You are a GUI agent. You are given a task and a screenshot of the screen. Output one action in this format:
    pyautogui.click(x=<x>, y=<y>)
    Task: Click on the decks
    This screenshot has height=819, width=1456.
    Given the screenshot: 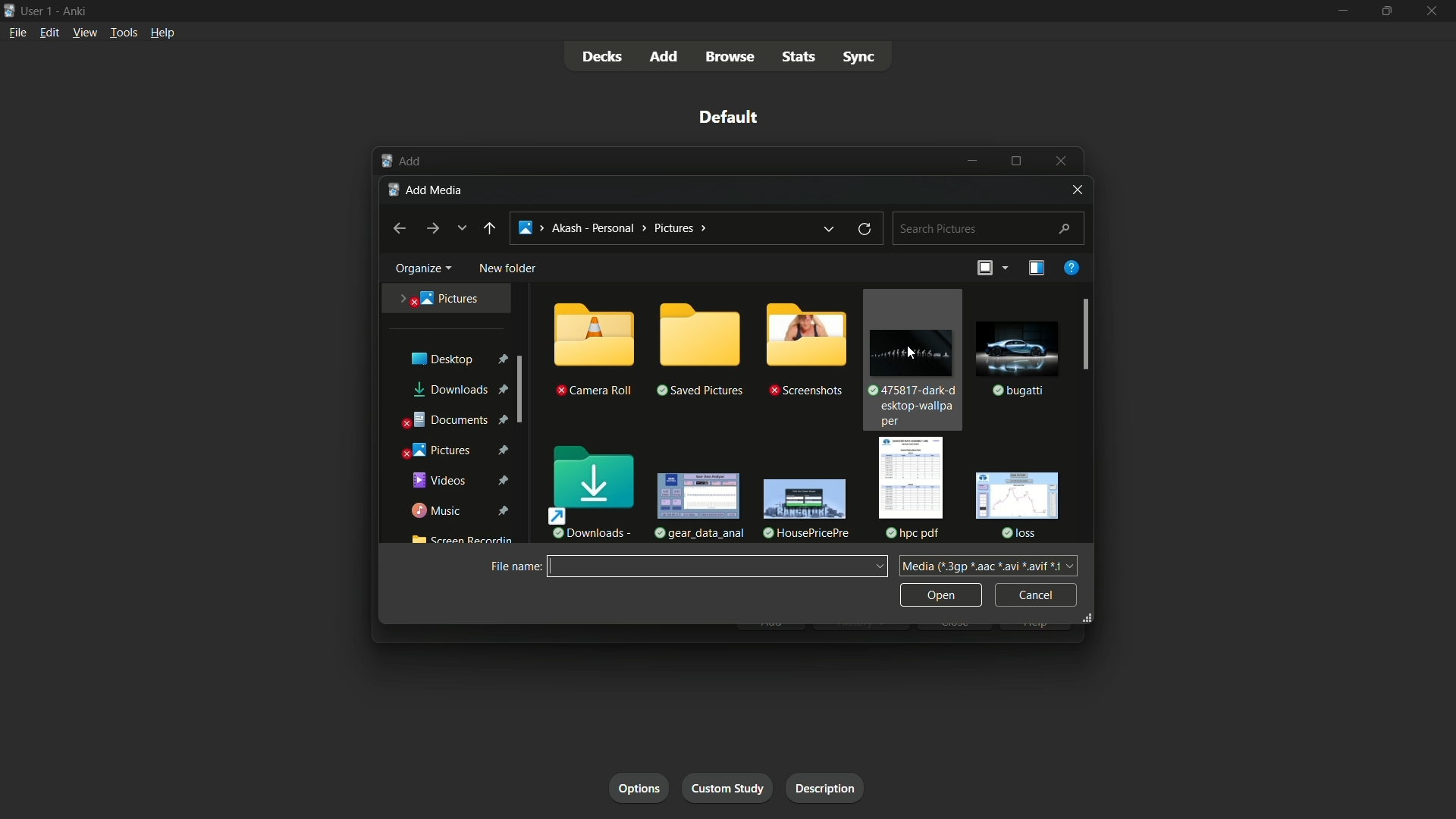 What is the action you would take?
    pyautogui.click(x=602, y=58)
    